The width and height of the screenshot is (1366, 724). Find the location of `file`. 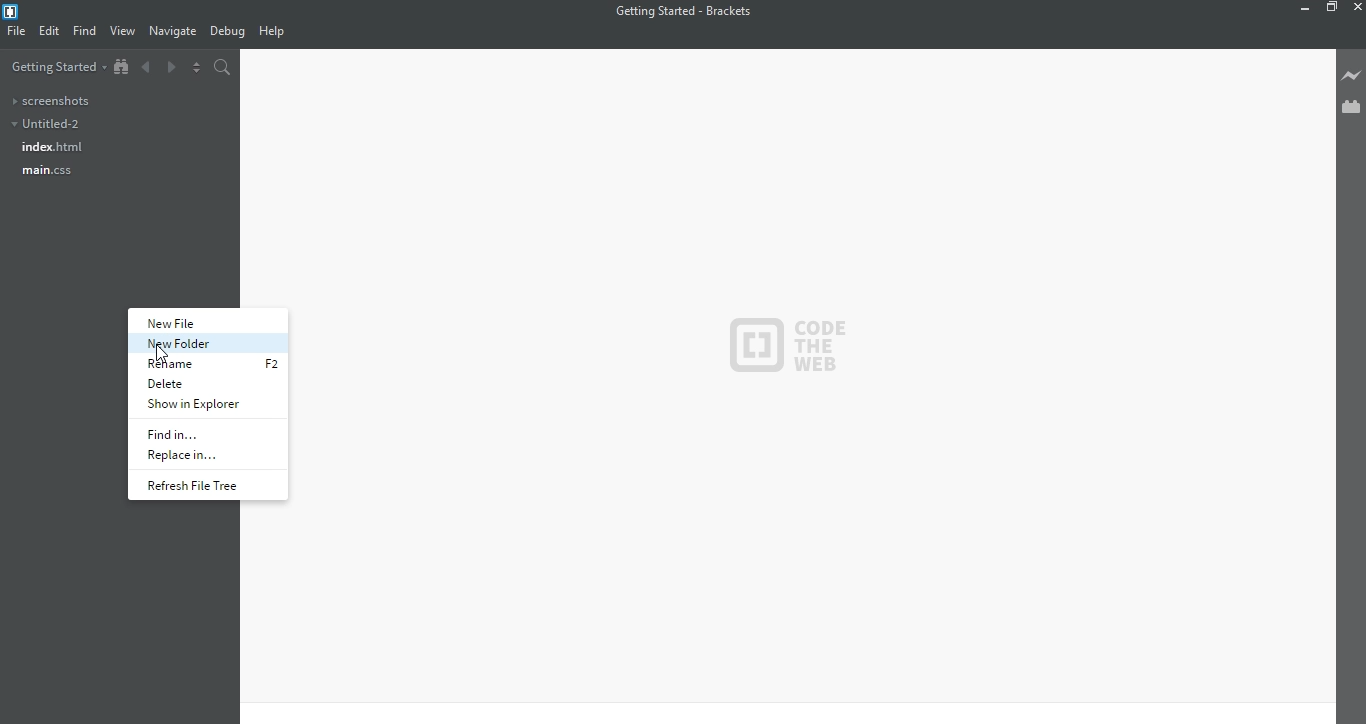

file is located at coordinates (17, 32).